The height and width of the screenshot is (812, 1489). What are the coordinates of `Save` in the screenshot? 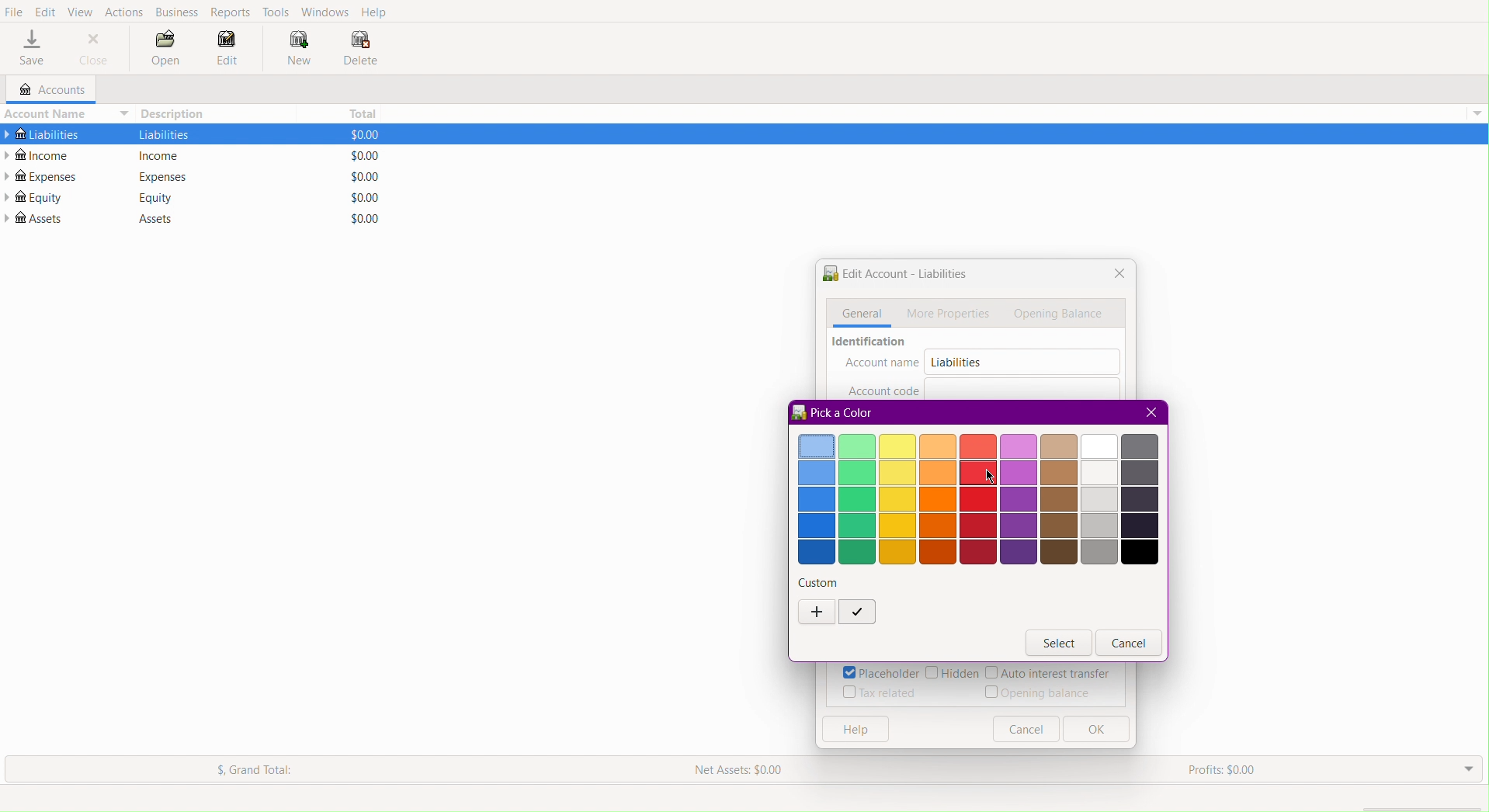 It's located at (32, 49).